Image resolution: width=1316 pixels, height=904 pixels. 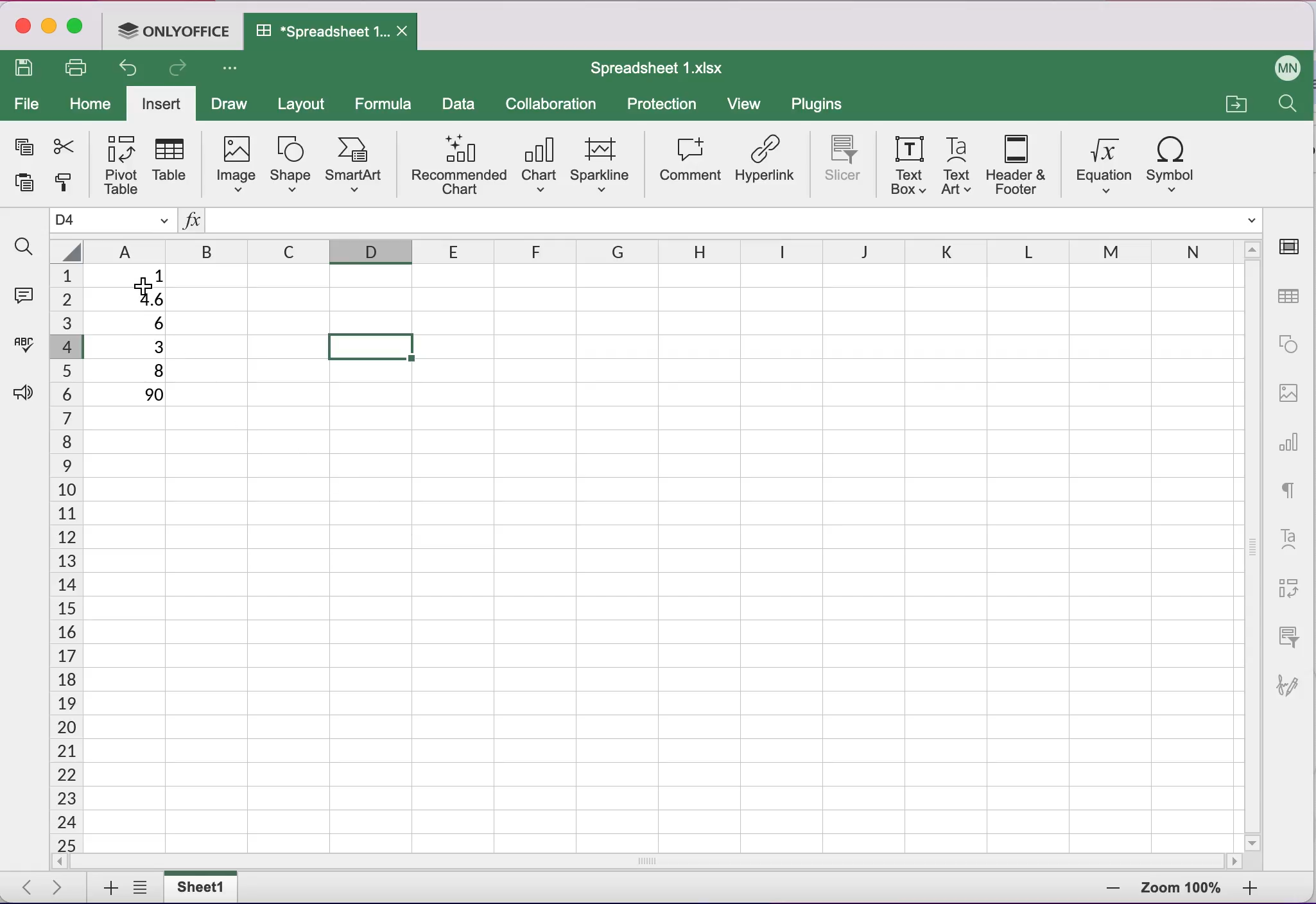 What do you see at coordinates (1288, 542) in the screenshot?
I see `text art` at bounding box center [1288, 542].